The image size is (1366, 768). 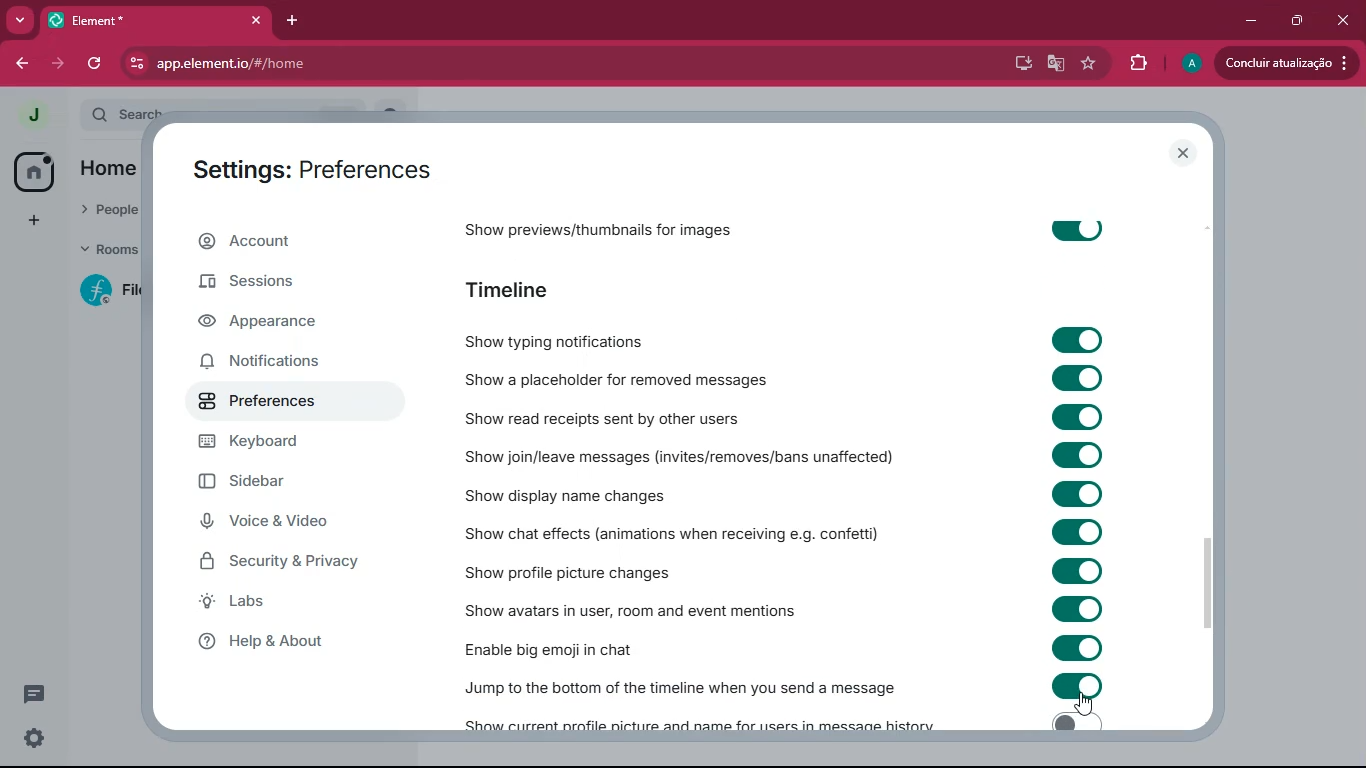 I want to click on voice & video, so click(x=283, y=525).